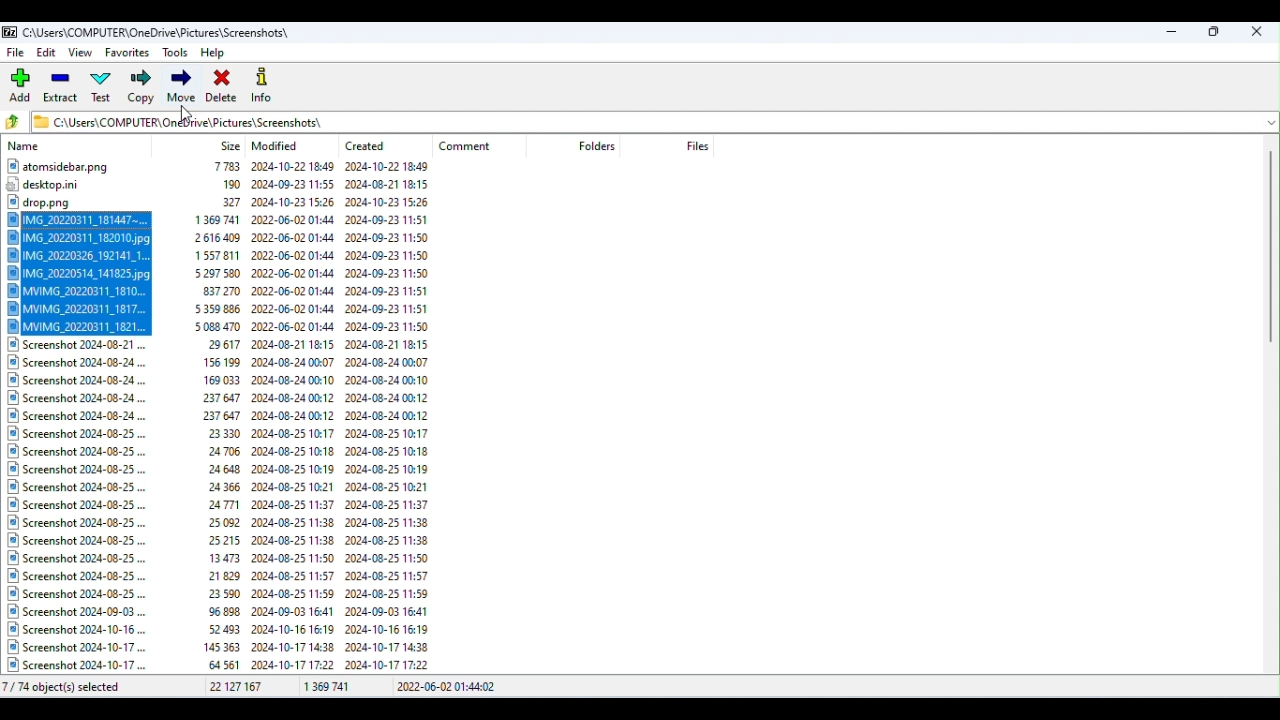  What do you see at coordinates (1214, 31) in the screenshot?
I see `Maximize` at bounding box center [1214, 31].